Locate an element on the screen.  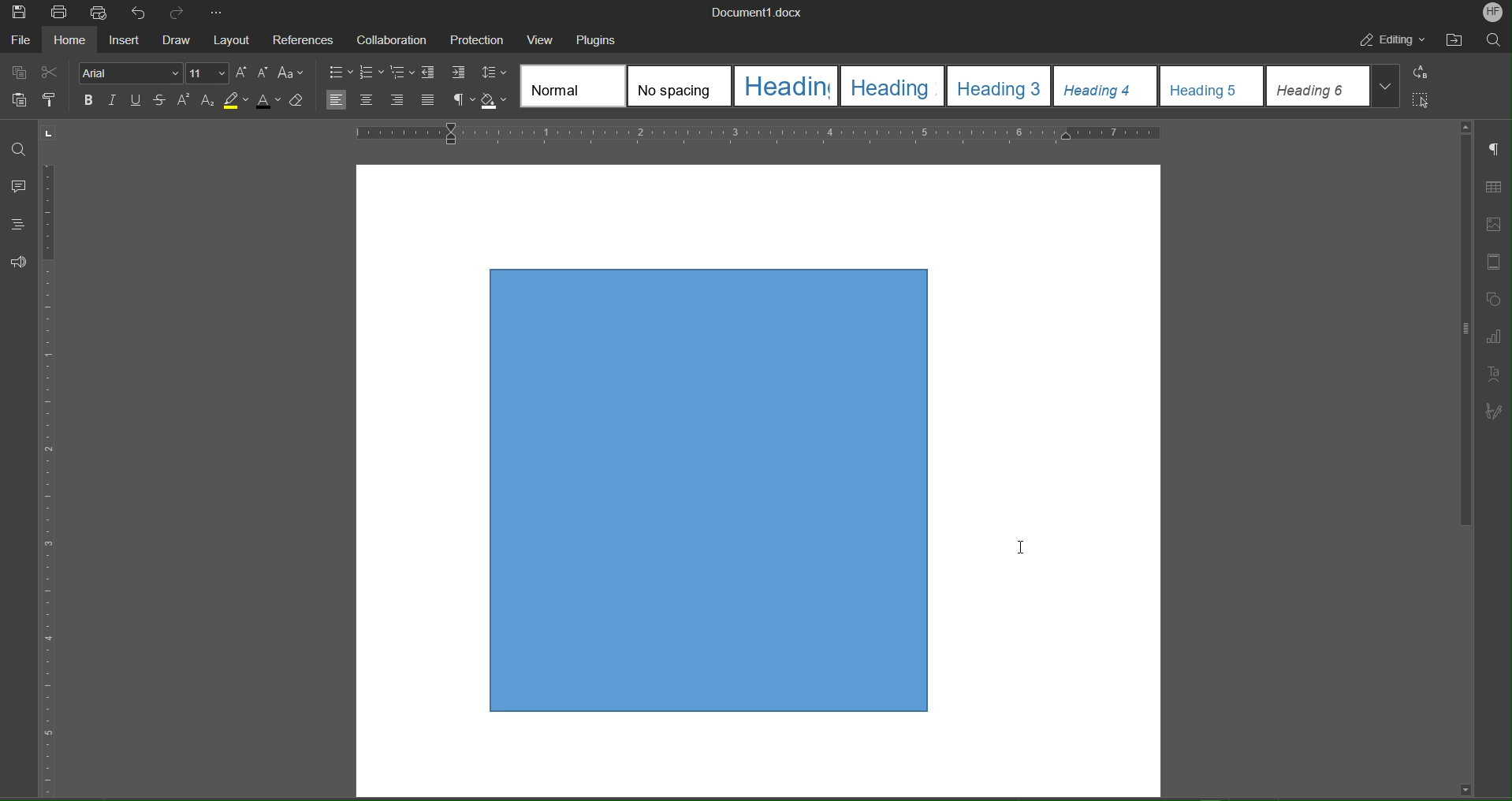
Save is located at coordinates (17, 12).